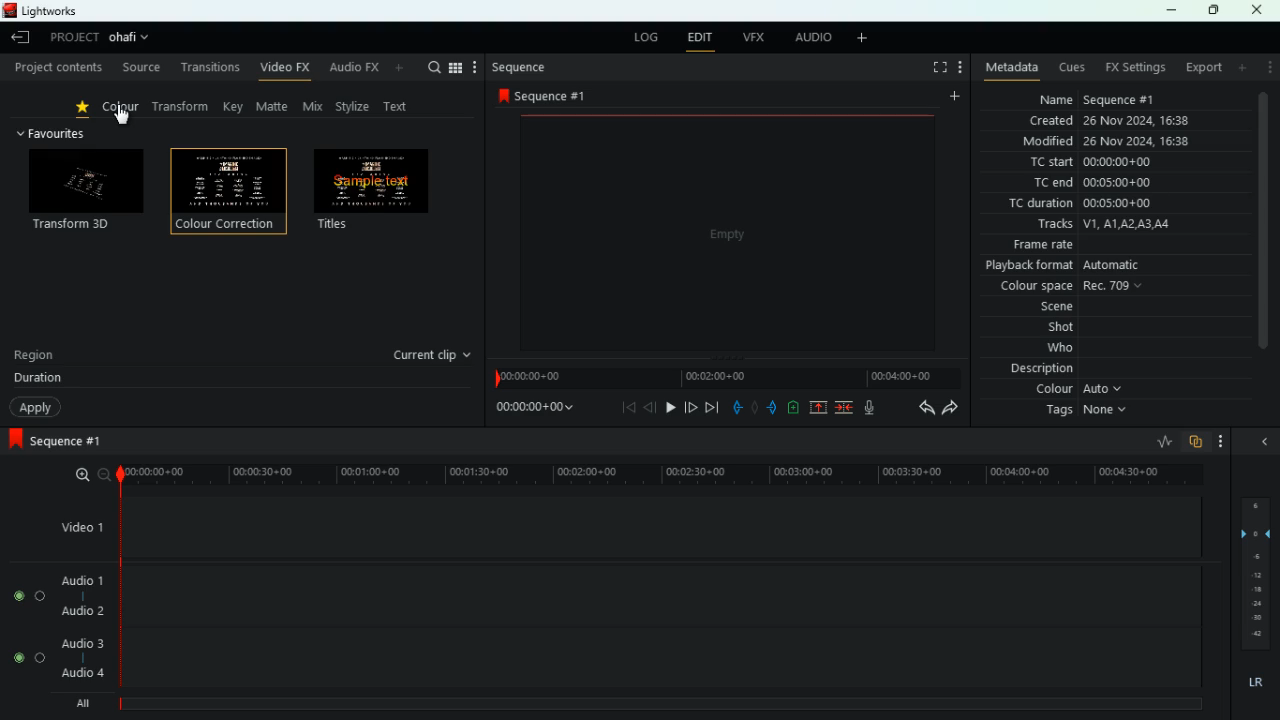 The height and width of the screenshot is (720, 1280). What do you see at coordinates (38, 380) in the screenshot?
I see `duration` at bounding box center [38, 380].